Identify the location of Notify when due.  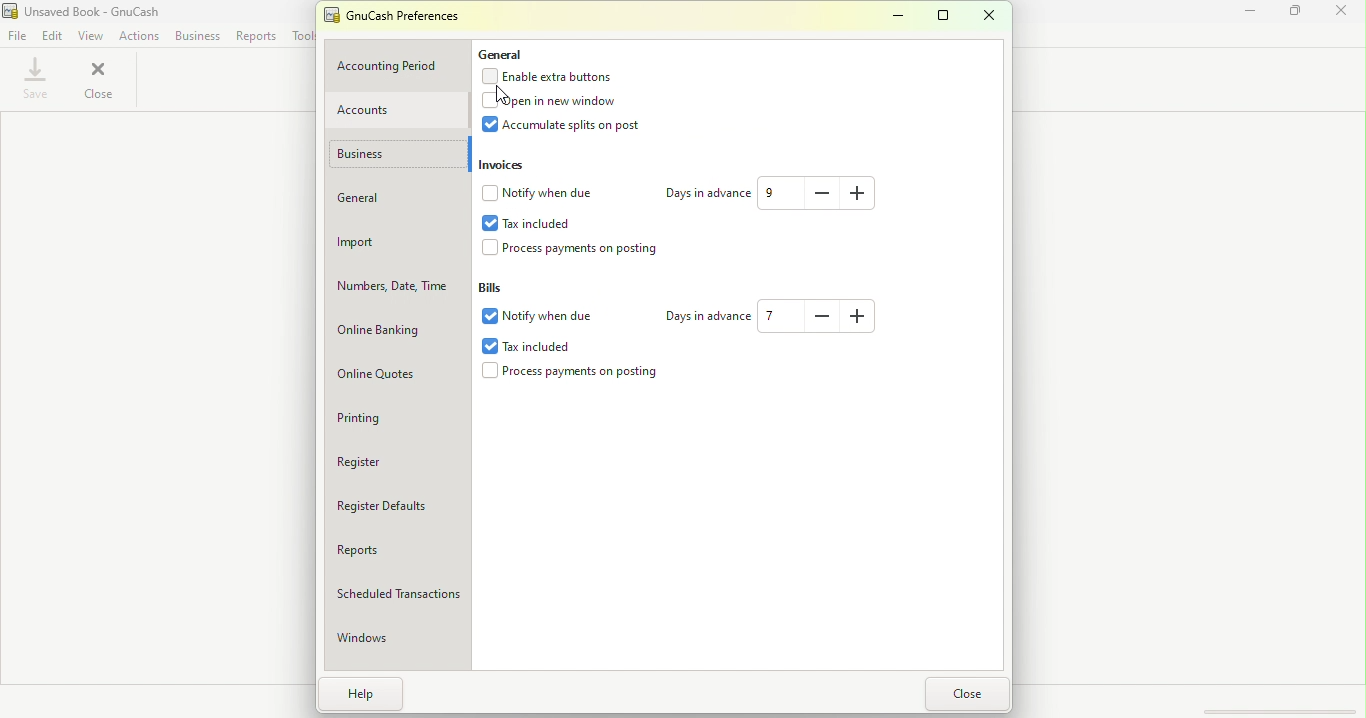
(537, 317).